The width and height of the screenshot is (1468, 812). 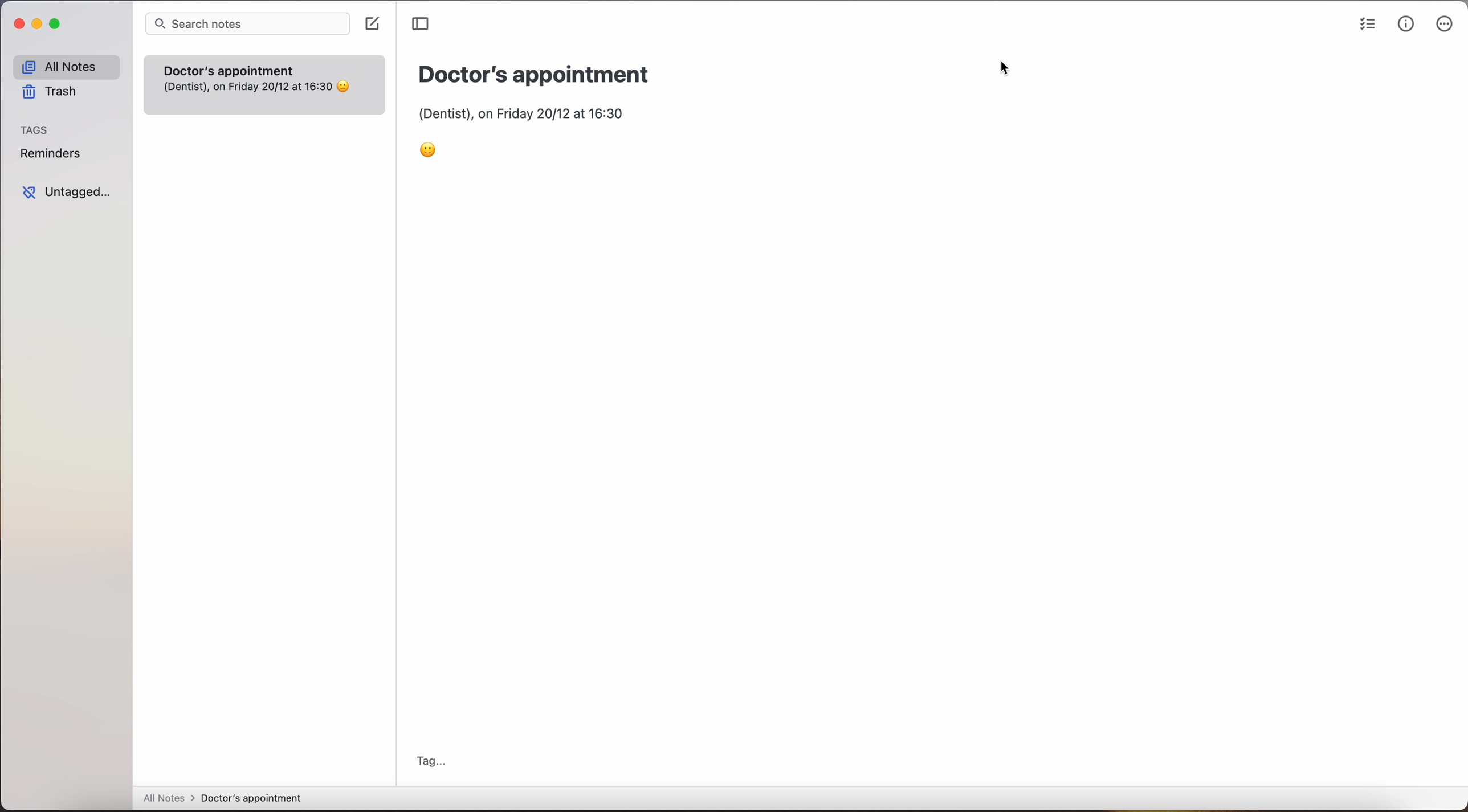 What do you see at coordinates (419, 23) in the screenshot?
I see `toggle sidebar` at bounding box center [419, 23].